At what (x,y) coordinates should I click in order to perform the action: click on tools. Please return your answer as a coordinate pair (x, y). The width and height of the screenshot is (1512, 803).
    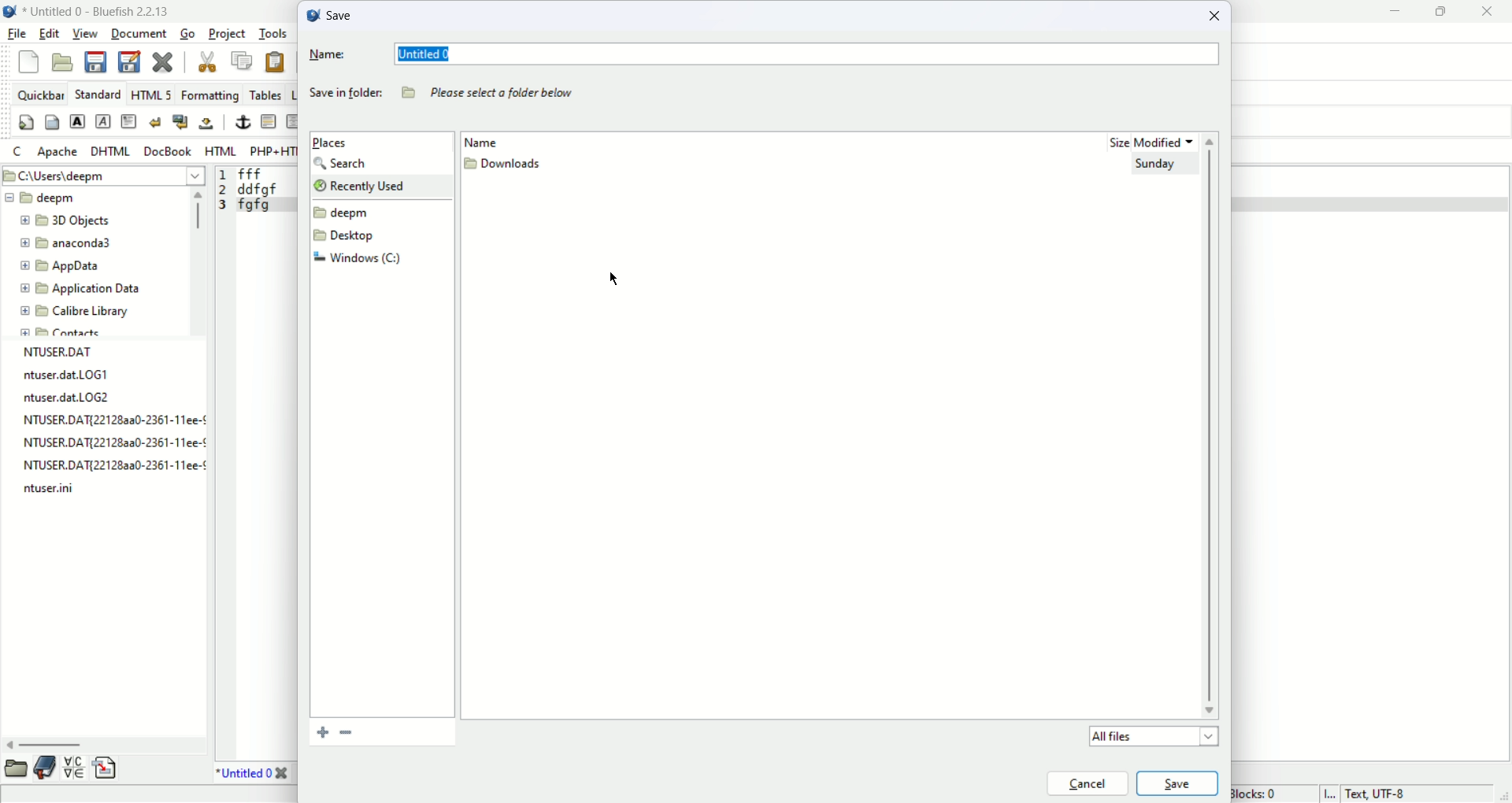
    Looking at the image, I should click on (272, 34).